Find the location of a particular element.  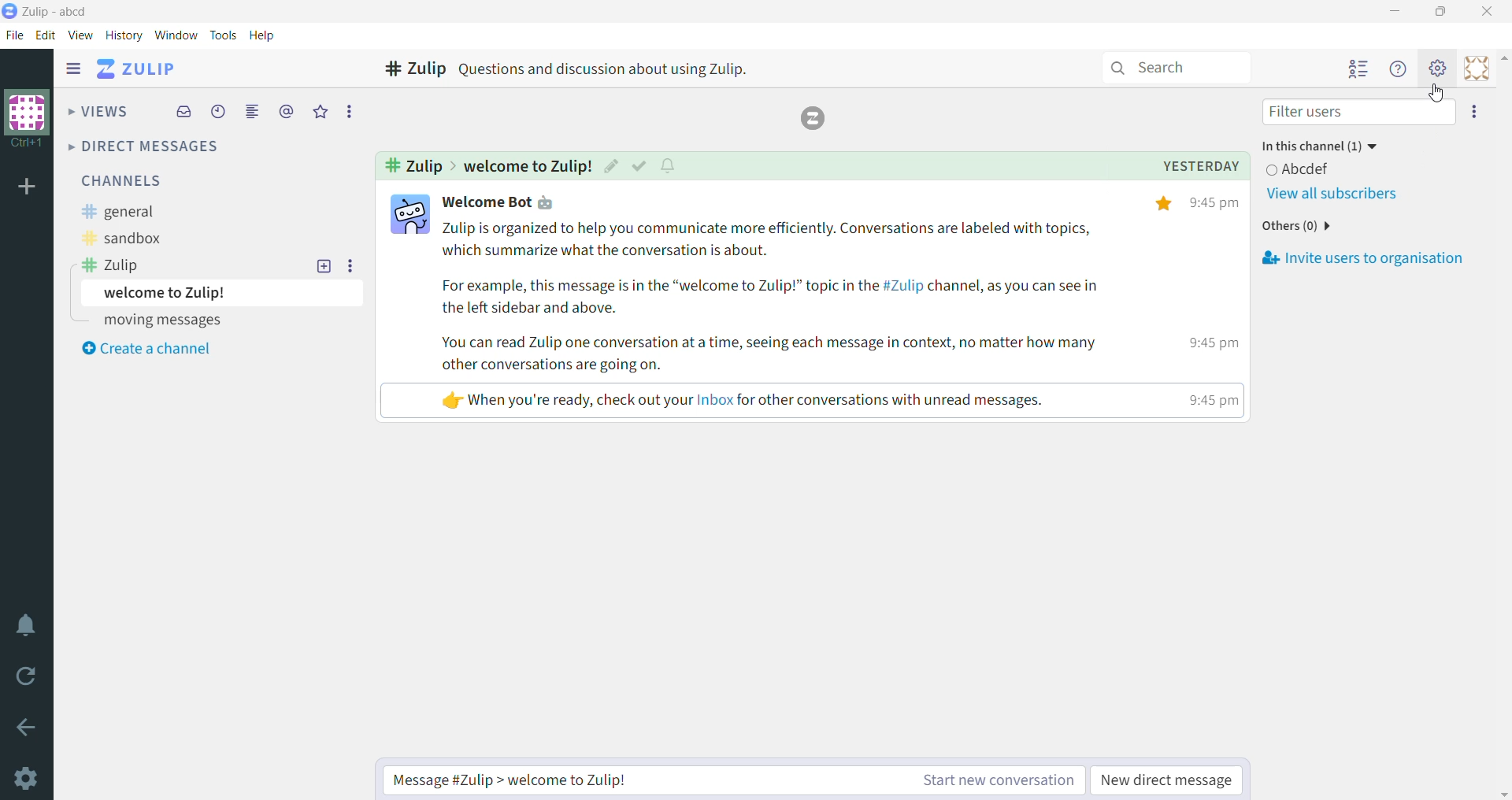

Tools is located at coordinates (223, 35).